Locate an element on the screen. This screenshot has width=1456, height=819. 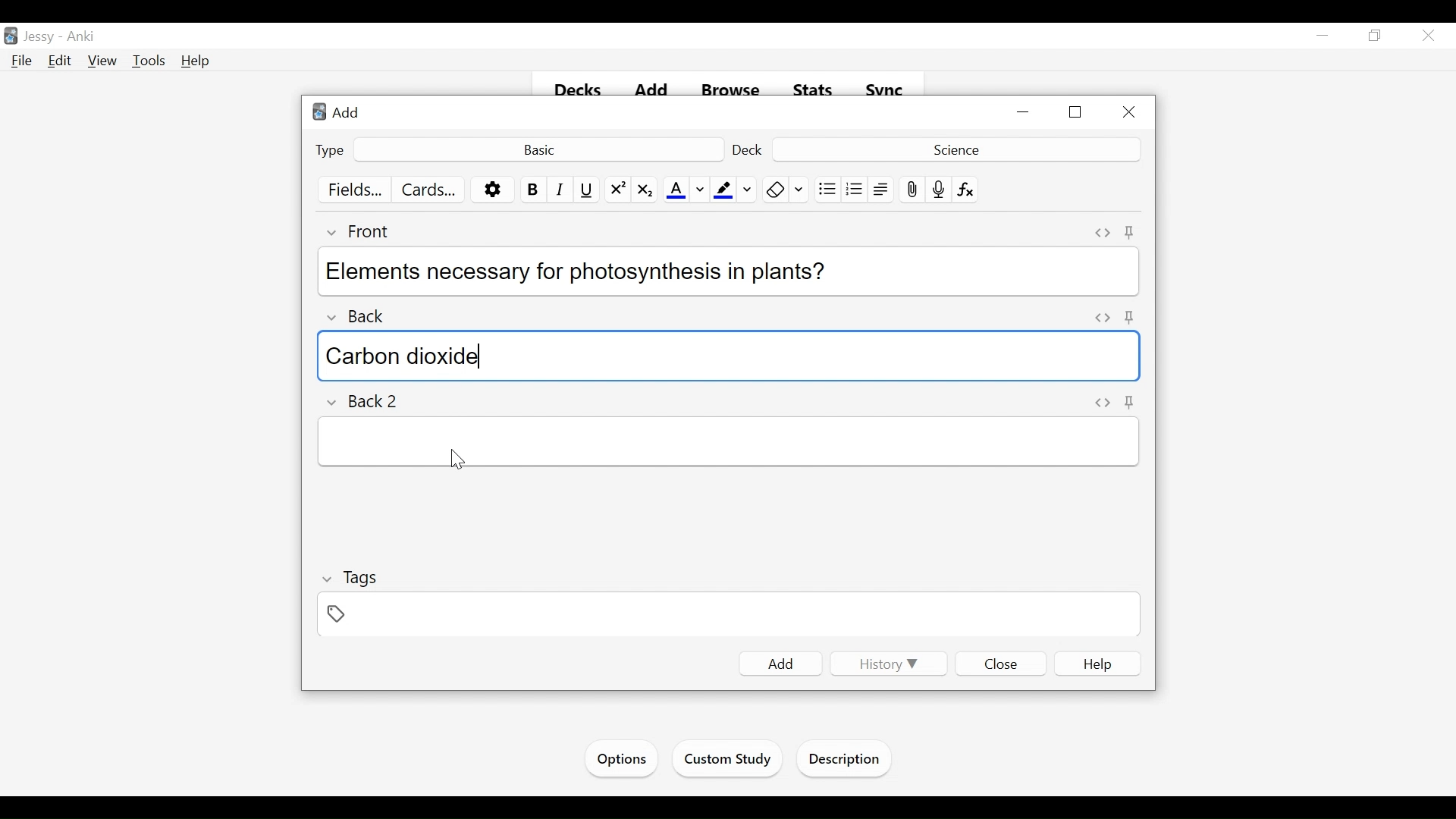
Bold is located at coordinates (532, 190).